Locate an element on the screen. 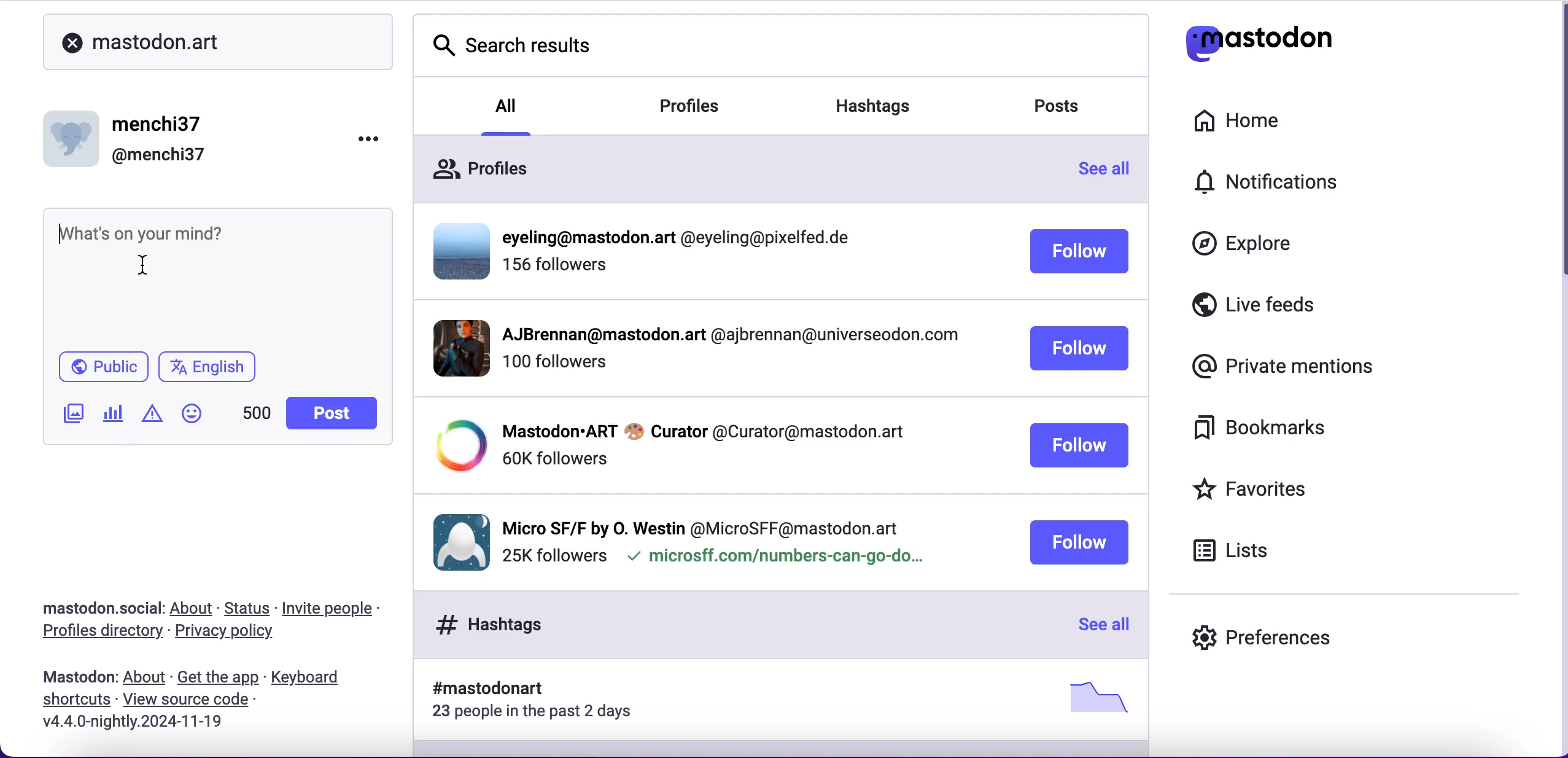 The width and height of the screenshot is (1568, 758). add emoji is located at coordinates (192, 419).